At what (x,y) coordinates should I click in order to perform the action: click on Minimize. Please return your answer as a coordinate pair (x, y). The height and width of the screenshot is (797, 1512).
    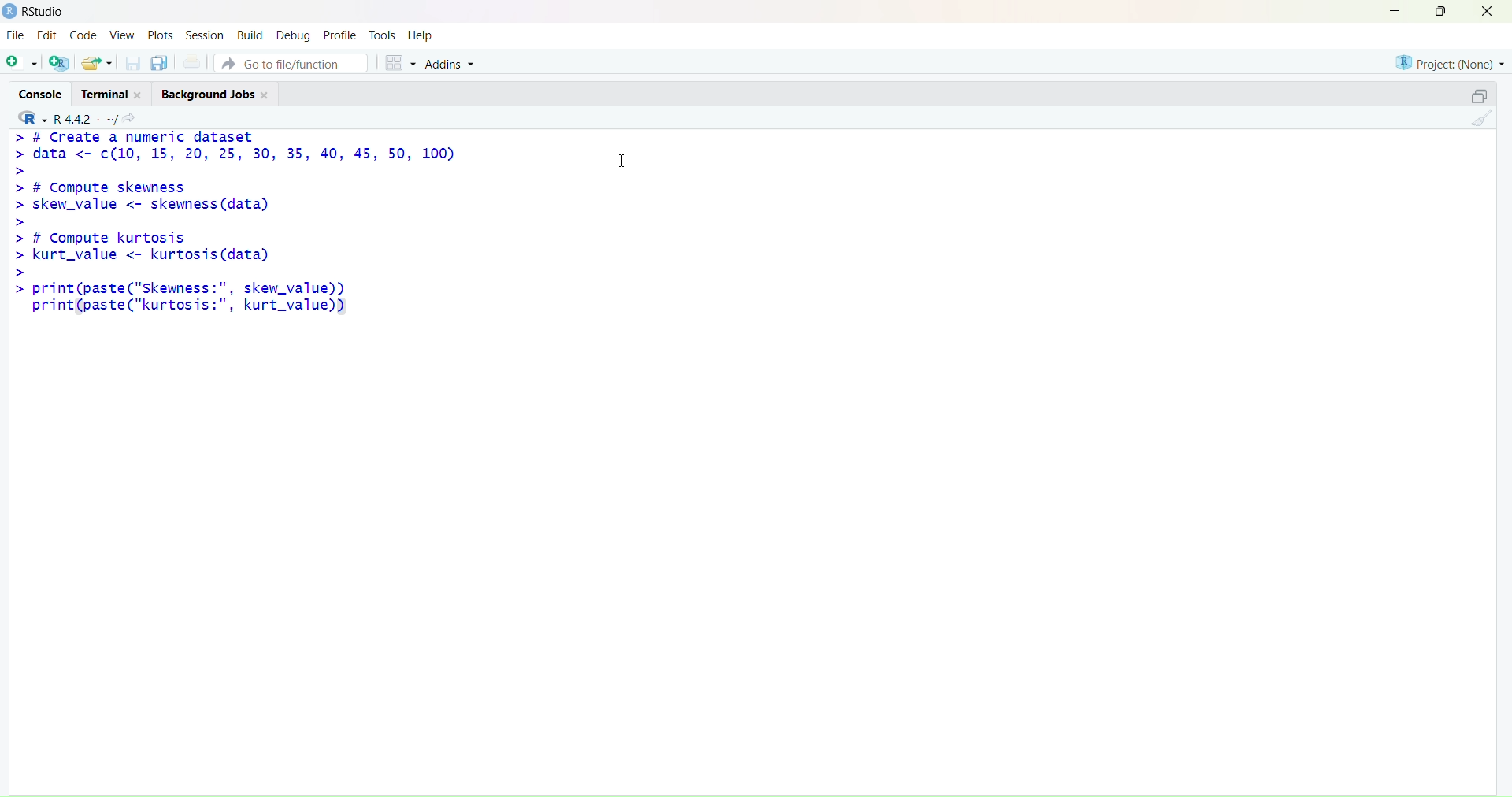
    Looking at the image, I should click on (1397, 12).